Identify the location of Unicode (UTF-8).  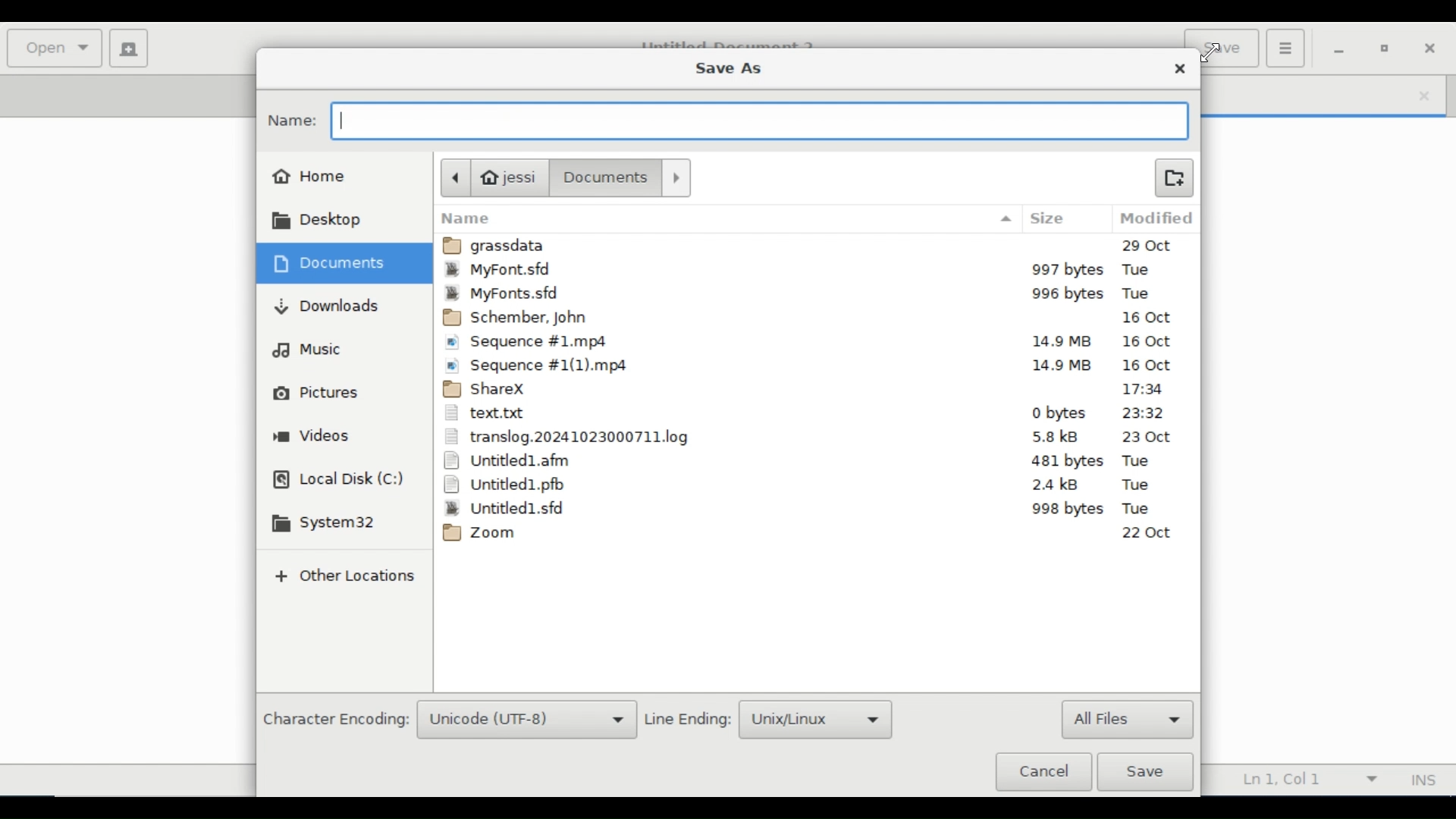
(526, 720).